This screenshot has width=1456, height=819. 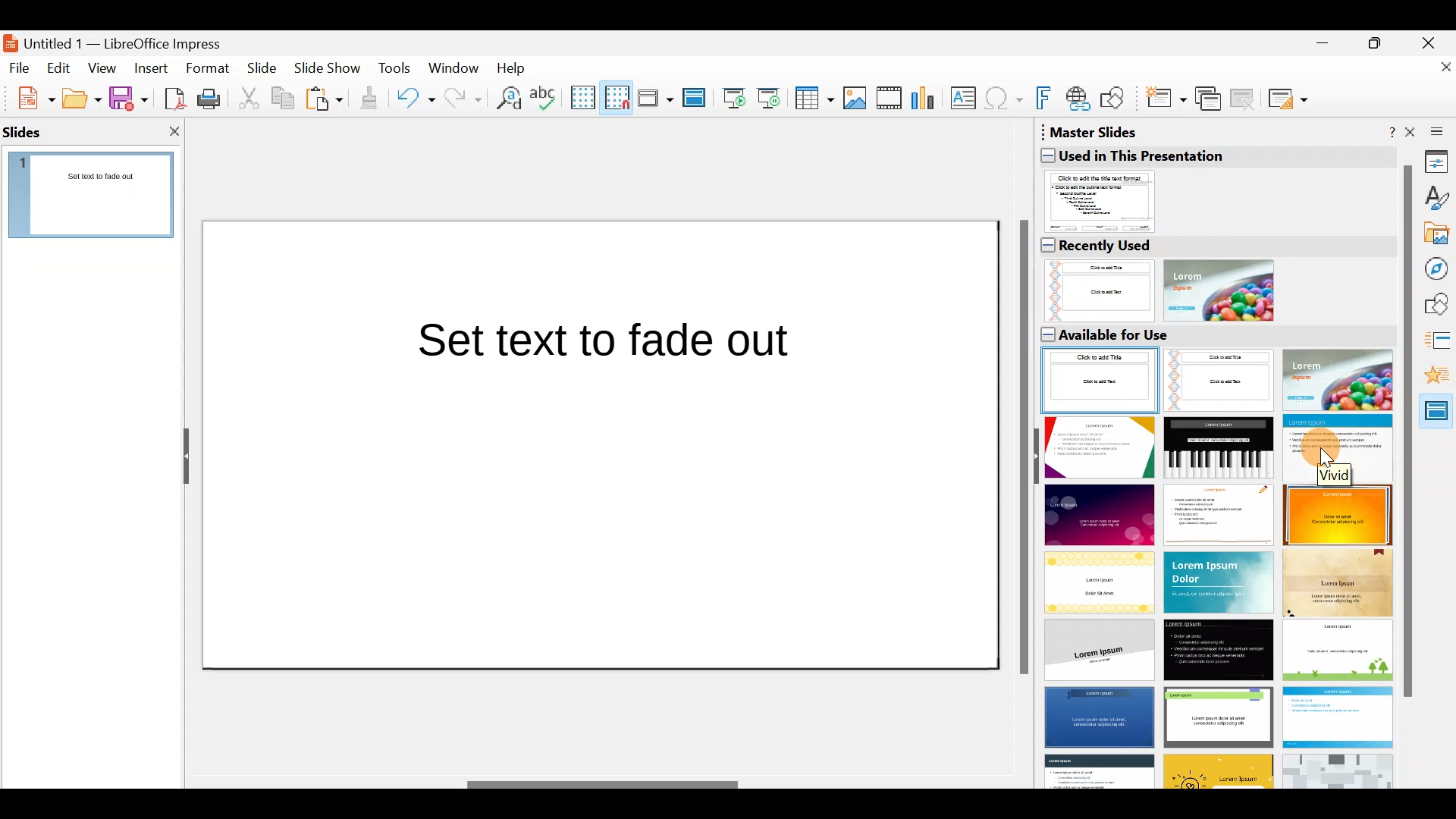 I want to click on Properties, so click(x=1437, y=161).